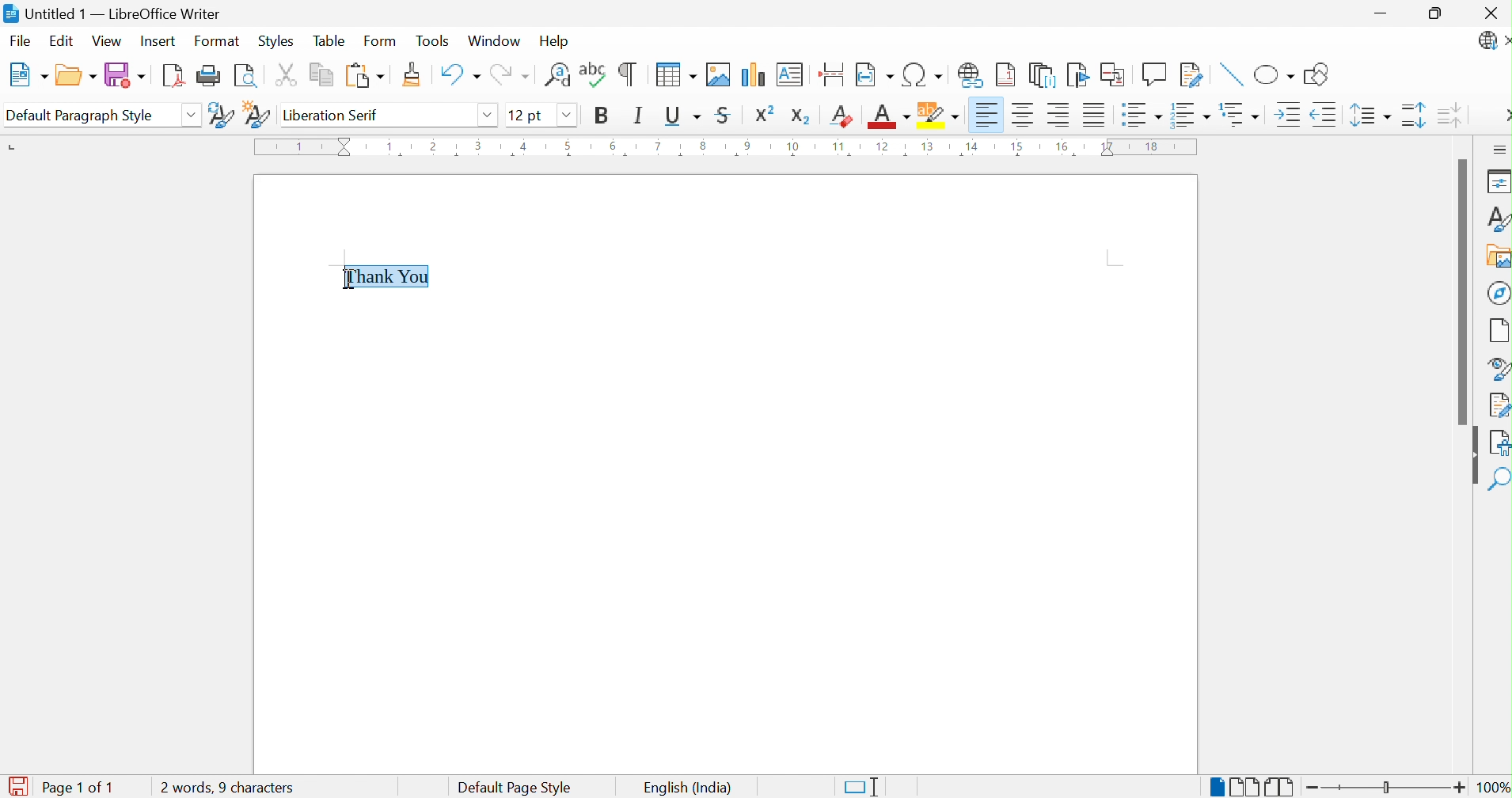 This screenshot has width=1512, height=798. I want to click on Export as PDF, so click(173, 76).